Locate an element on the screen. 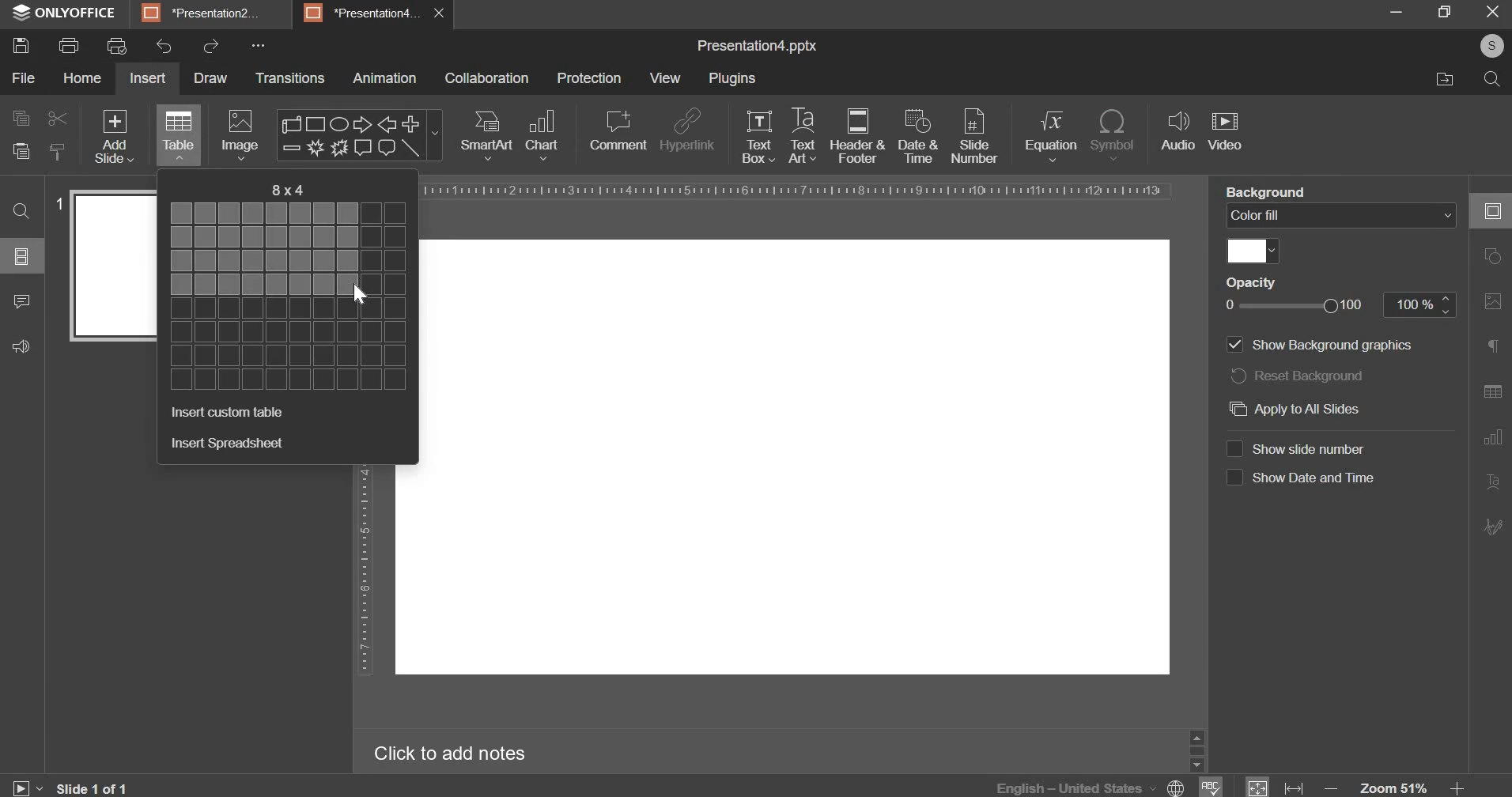  100% is located at coordinates (1423, 306).